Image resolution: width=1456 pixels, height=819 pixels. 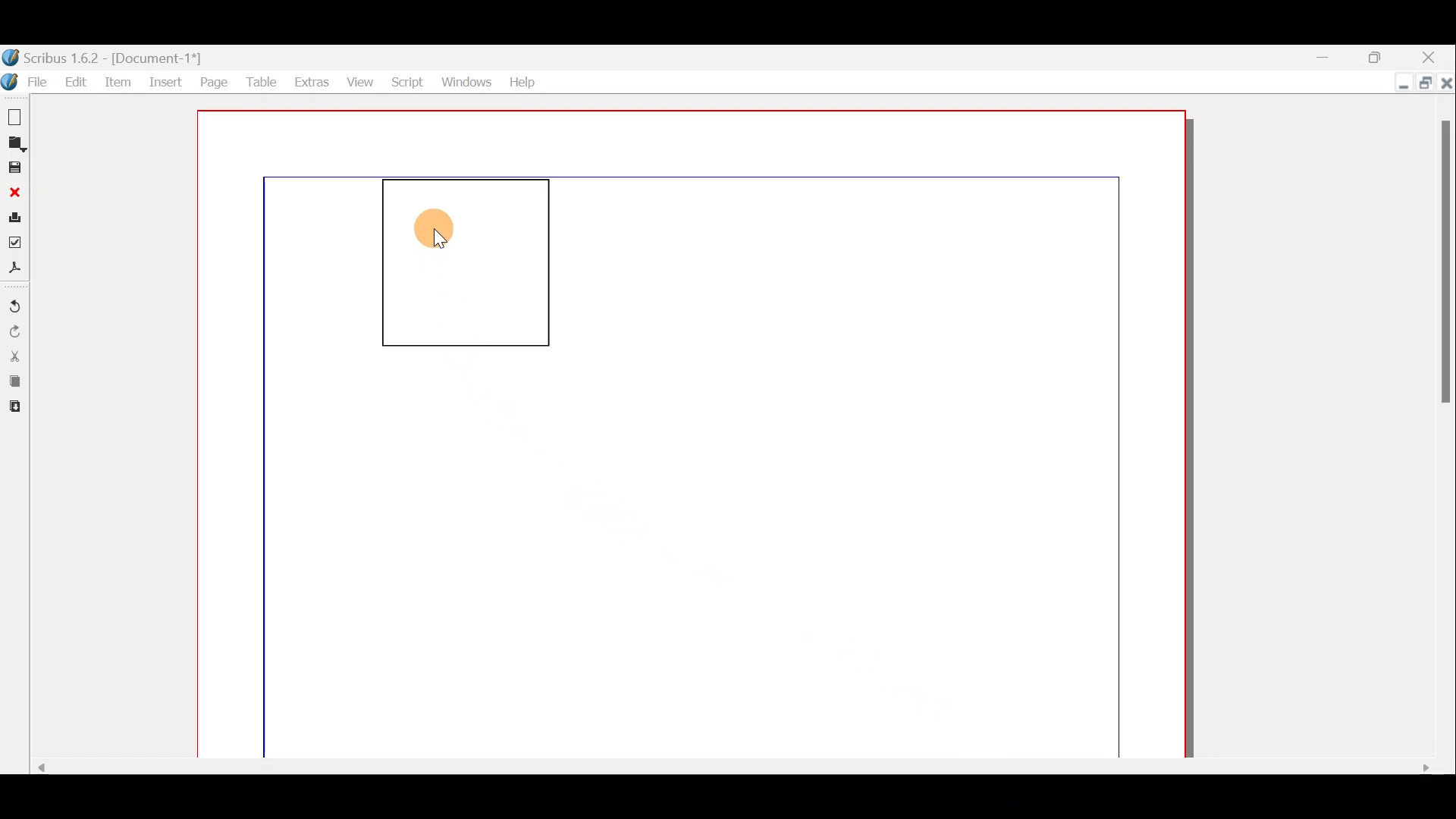 I want to click on Page, so click(x=212, y=81).